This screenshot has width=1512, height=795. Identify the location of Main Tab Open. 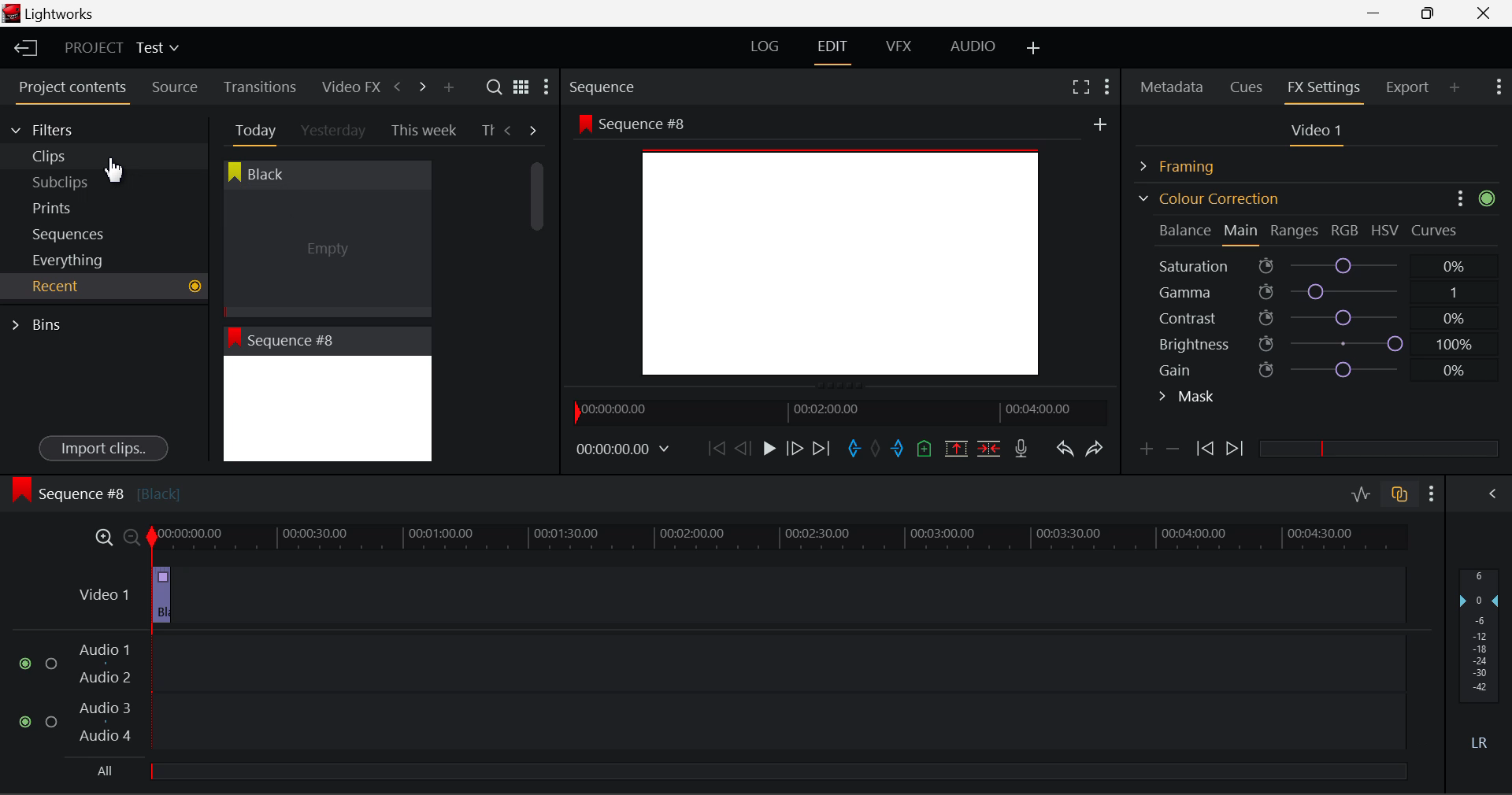
(1242, 232).